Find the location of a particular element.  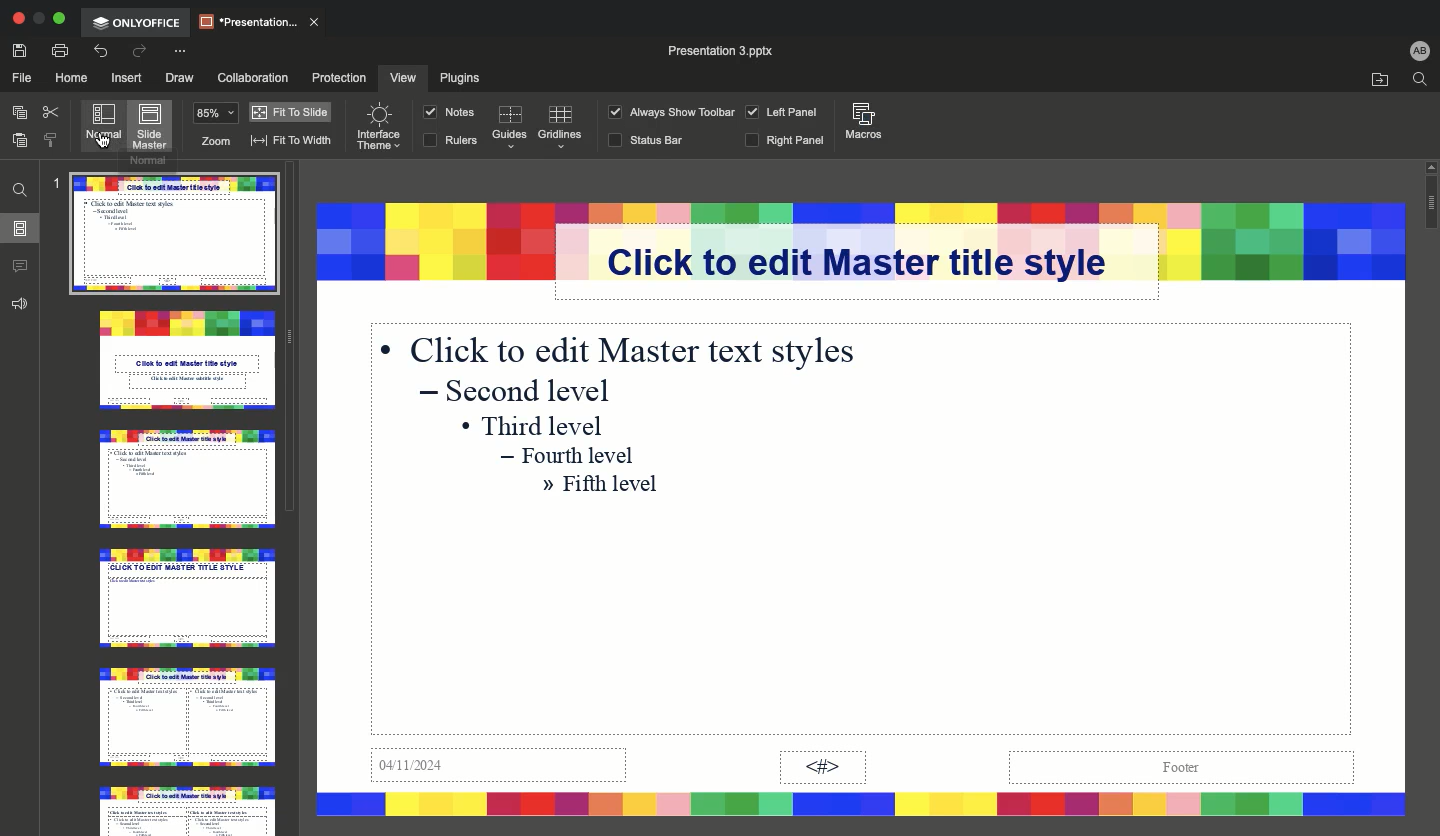

« Third level is located at coordinates (542, 423).